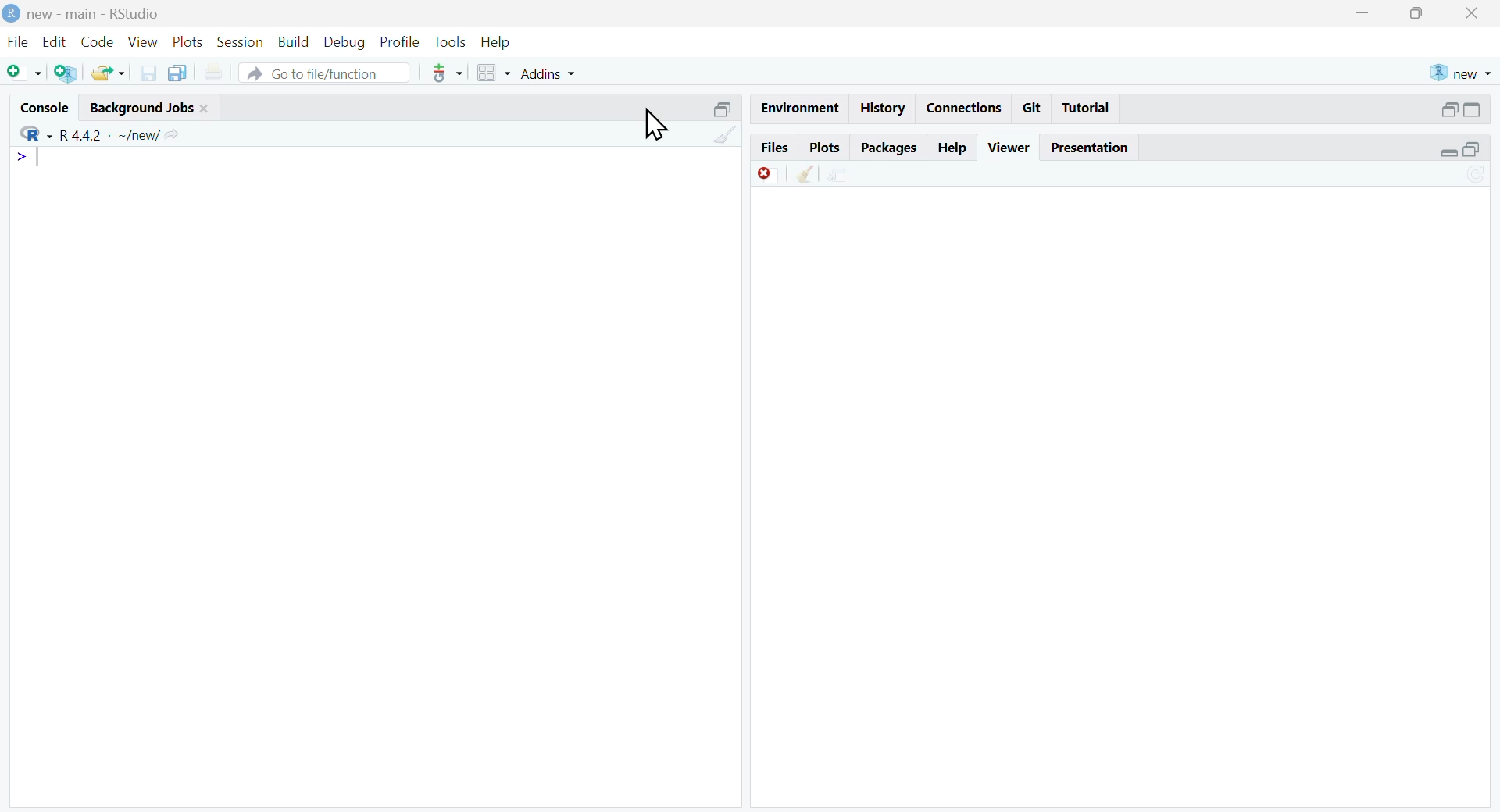 The width and height of the screenshot is (1500, 812). Describe the element at coordinates (401, 42) in the screenshot. I see `profile` at that location.